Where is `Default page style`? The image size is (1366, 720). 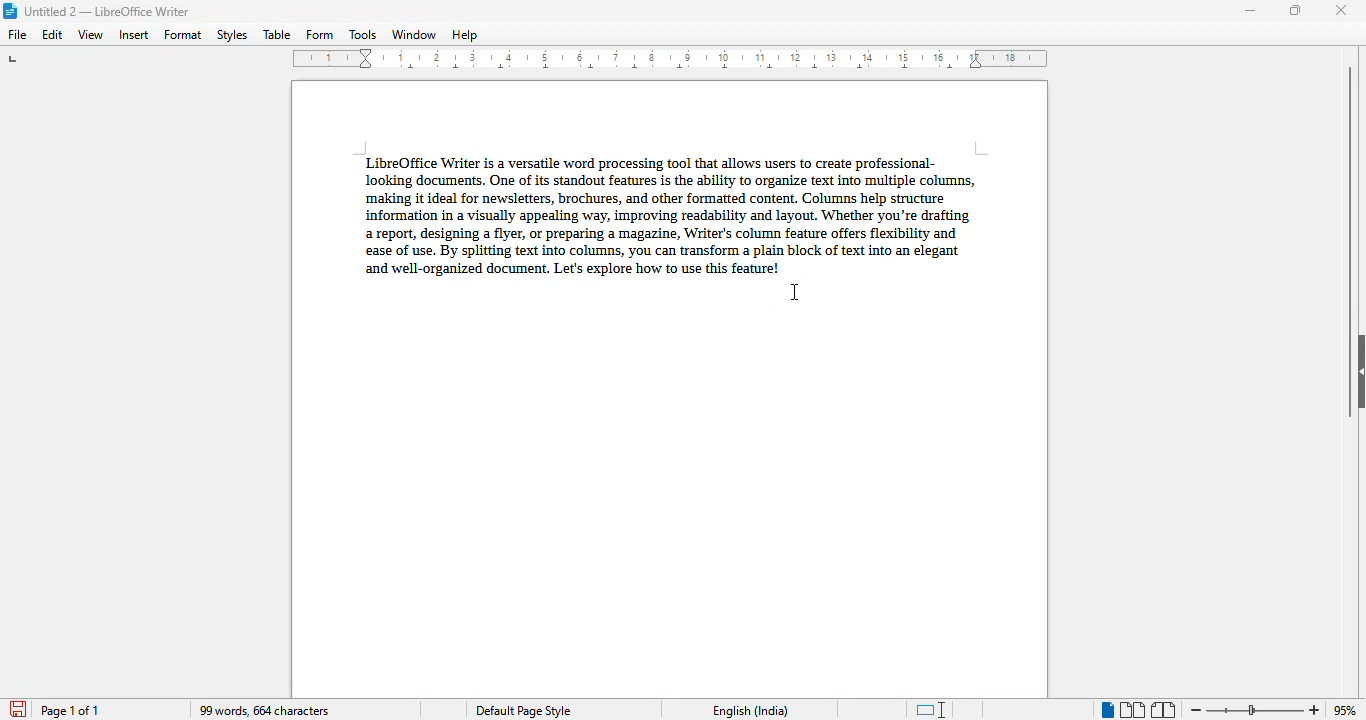
Default page style is located at coordinates (522, 711).